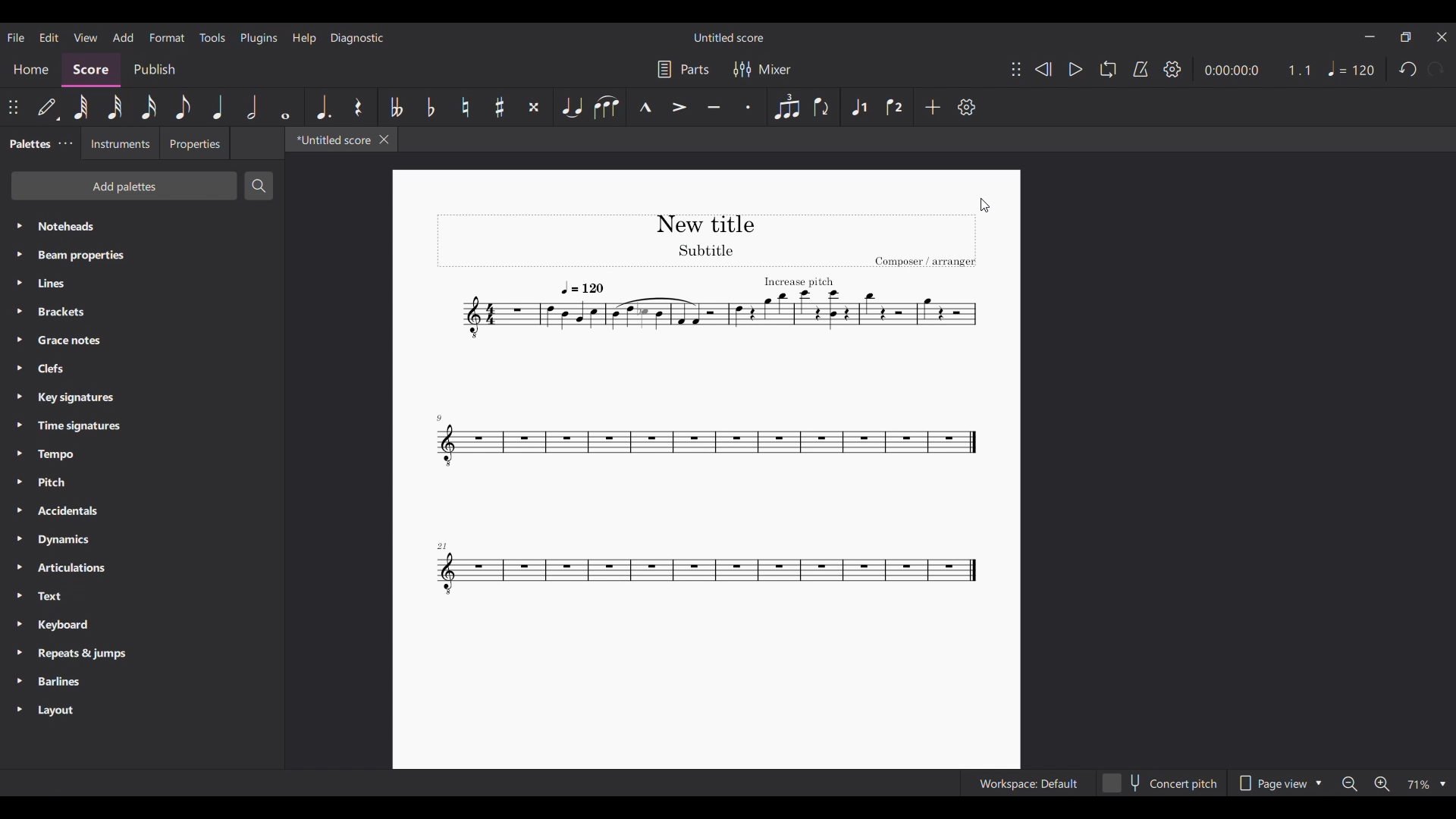 The width and height of the screenshot is (1456, 819). Describe the element at coordinates (1405, 37) in the screenshot. I see `Show in smaller tab` at that location.